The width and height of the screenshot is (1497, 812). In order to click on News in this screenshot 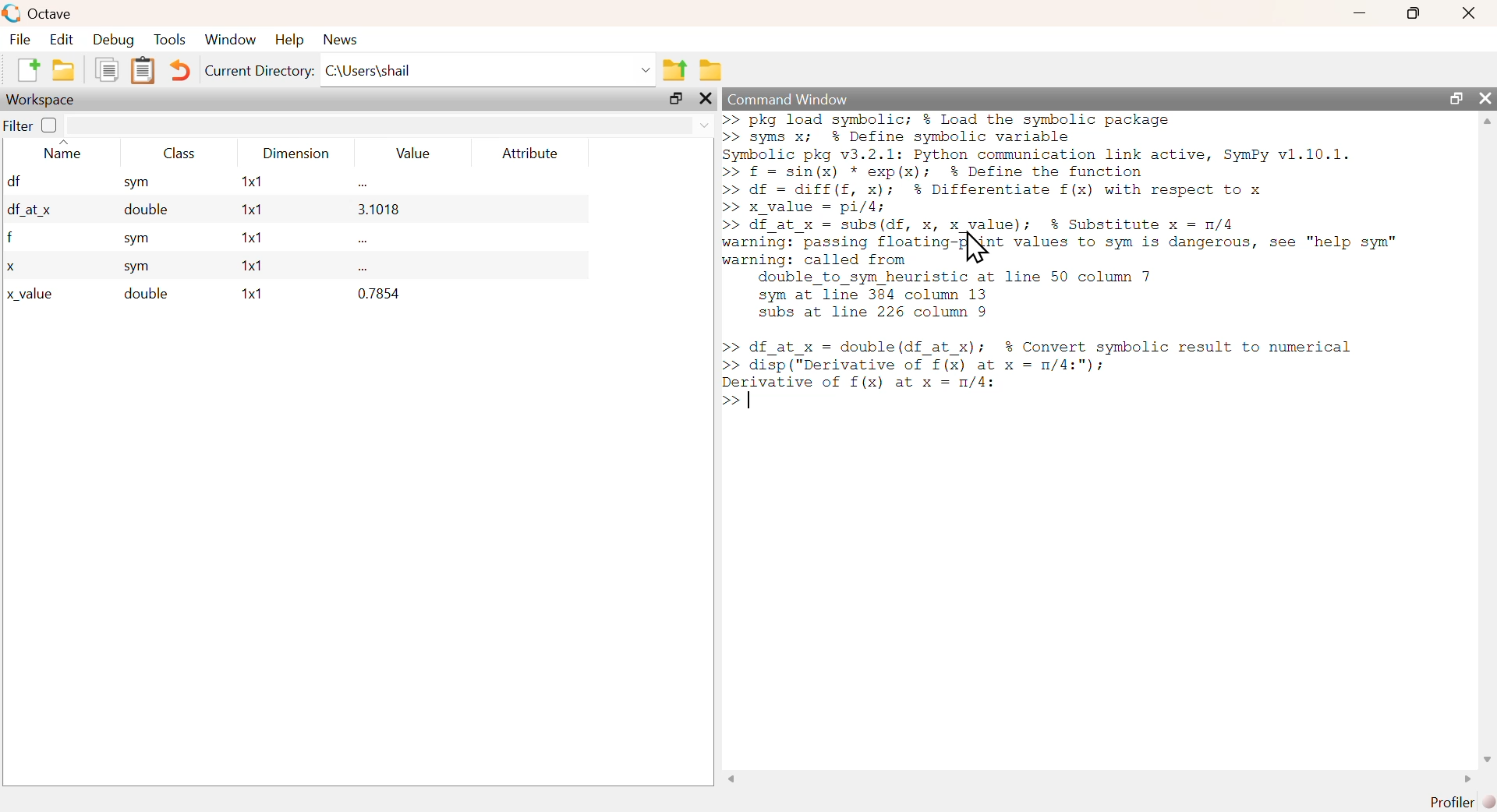, I will do `click(341, 40)`.